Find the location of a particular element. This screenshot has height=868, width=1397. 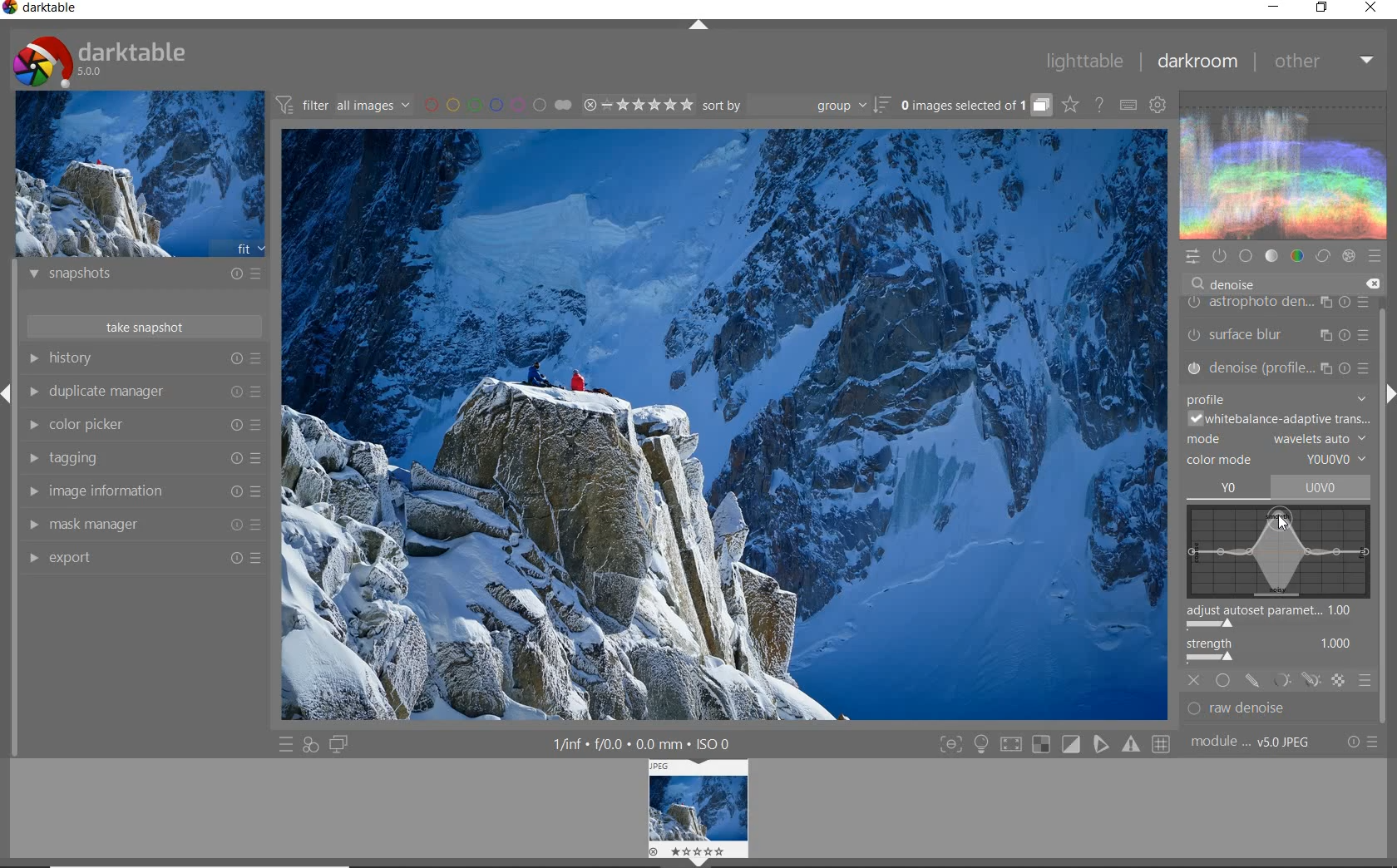

scrollbar is located at coordinates (1383, 448).